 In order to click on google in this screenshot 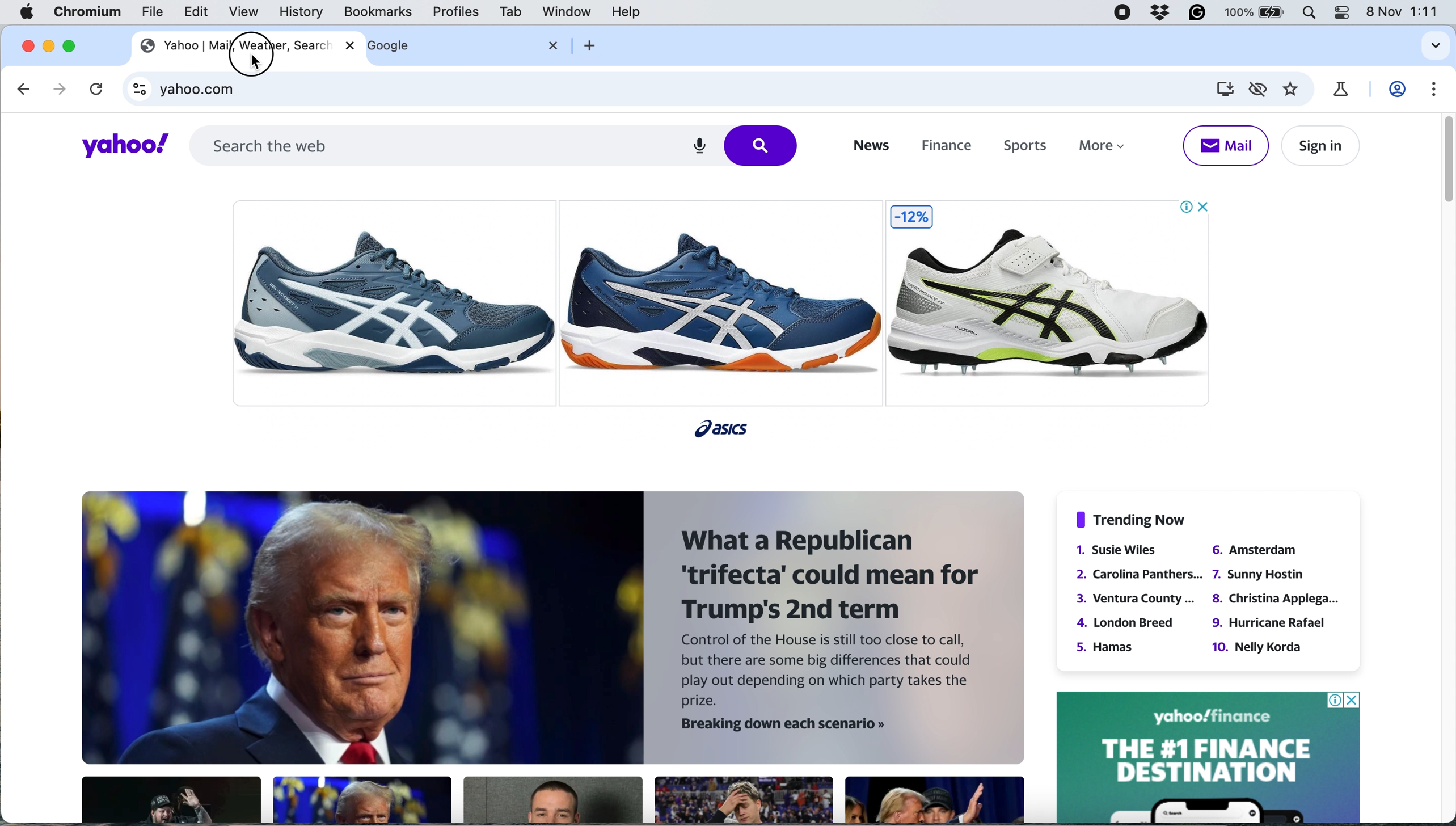, I will do `click(406, 46)`.